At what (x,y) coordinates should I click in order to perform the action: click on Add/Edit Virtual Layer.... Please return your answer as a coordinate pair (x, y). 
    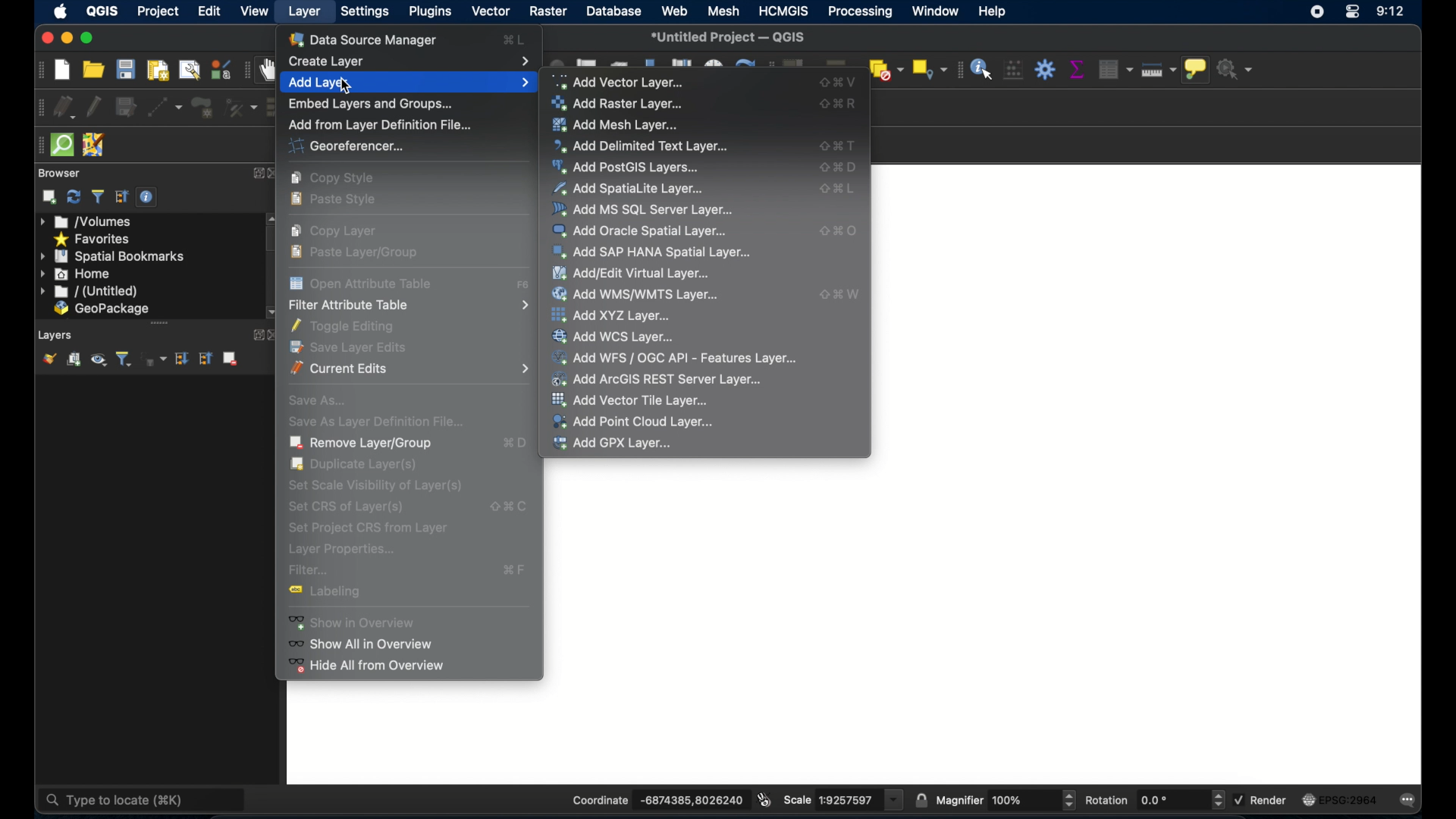
    Looking at the image, I should click on (709, 271).